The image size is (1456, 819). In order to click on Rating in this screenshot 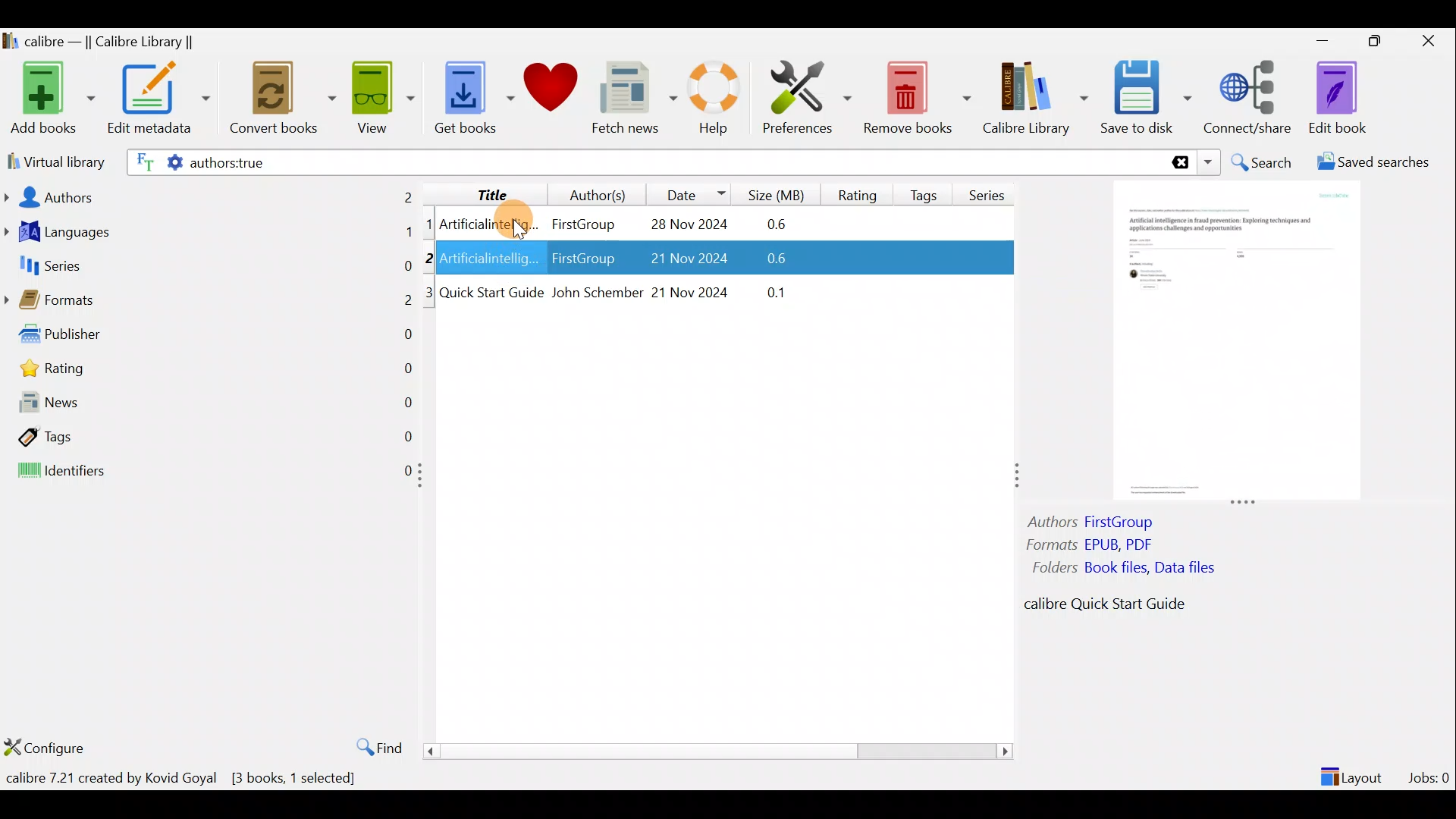, I will do `click(858, 193)`.